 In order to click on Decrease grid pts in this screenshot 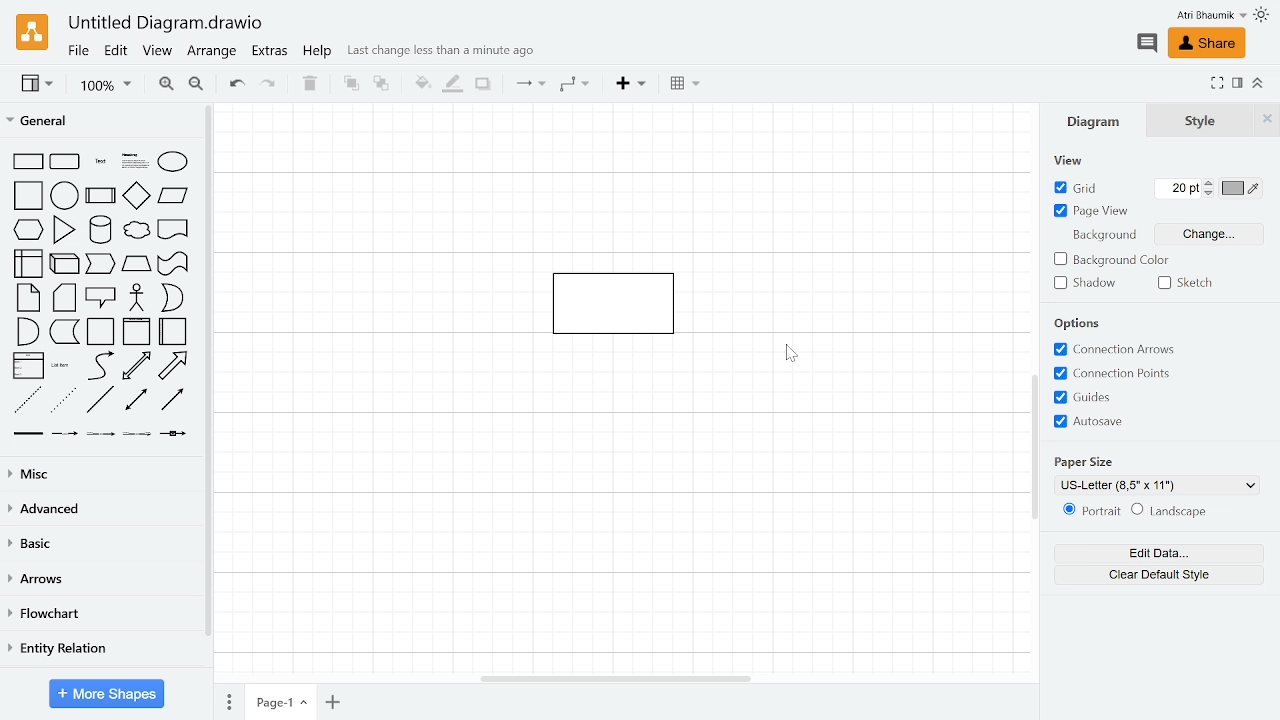, I will do `click(1210, 195)`.